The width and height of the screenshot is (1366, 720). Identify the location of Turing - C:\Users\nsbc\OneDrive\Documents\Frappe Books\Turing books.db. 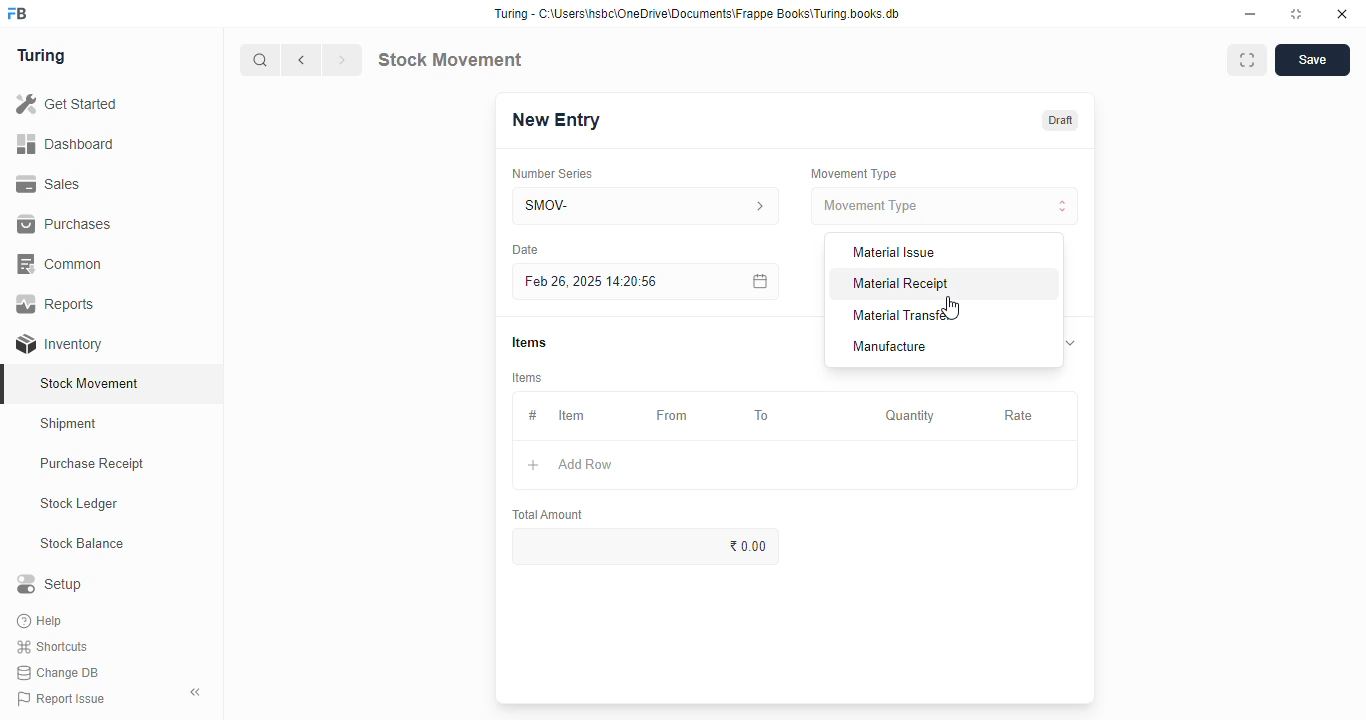
(698, 14).